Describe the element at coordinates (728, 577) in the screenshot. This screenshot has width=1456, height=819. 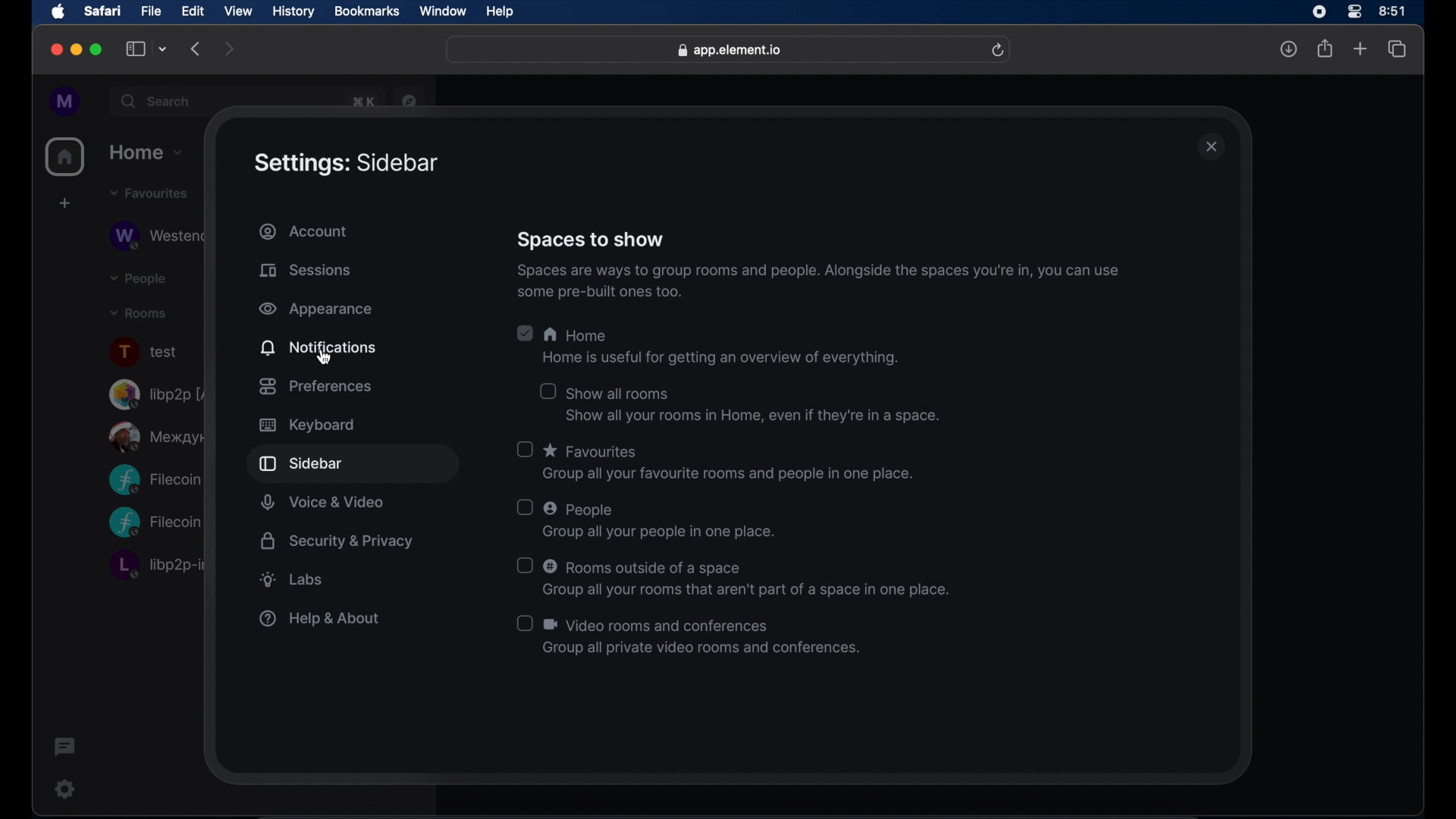
I see `O © Rooms outside of a space
Group all your rooms that aren't part of a space in one place.` at that location.